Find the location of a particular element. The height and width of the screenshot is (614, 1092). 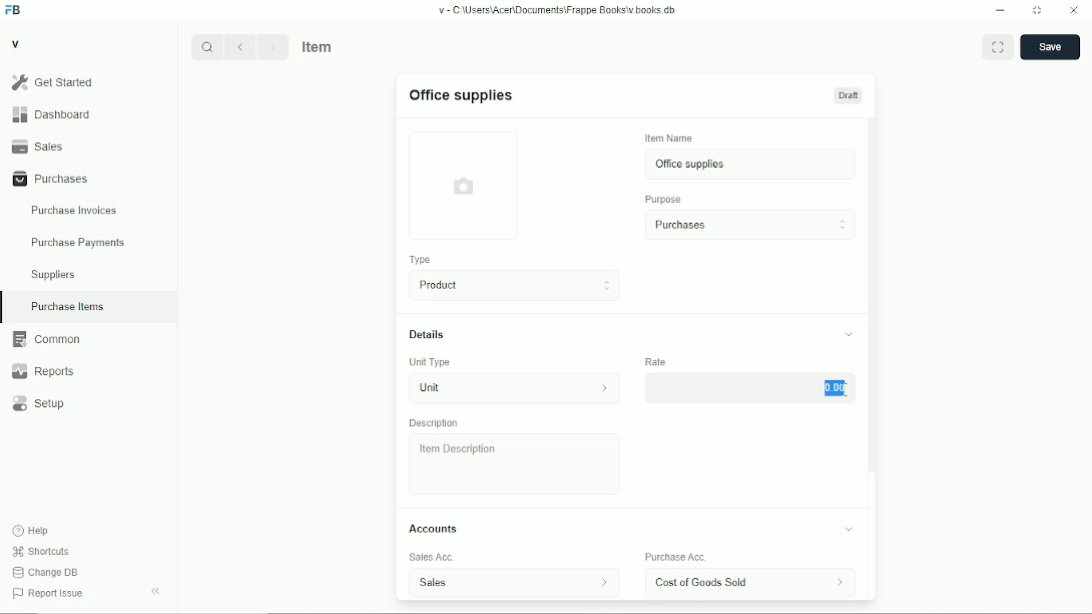

change DB is located at coordinates (45, 572).